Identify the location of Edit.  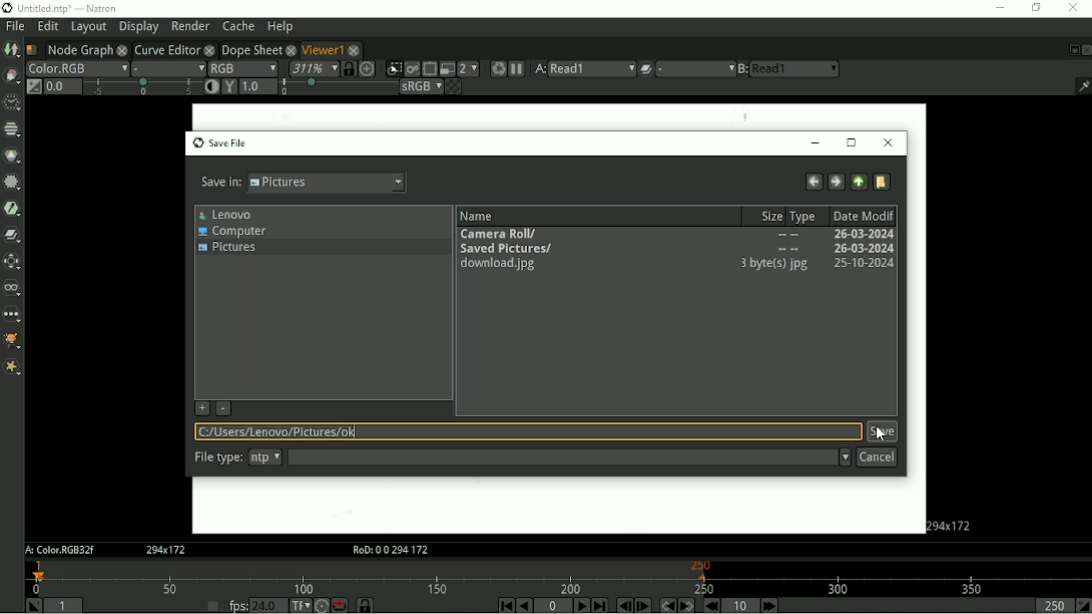
(46, 26).